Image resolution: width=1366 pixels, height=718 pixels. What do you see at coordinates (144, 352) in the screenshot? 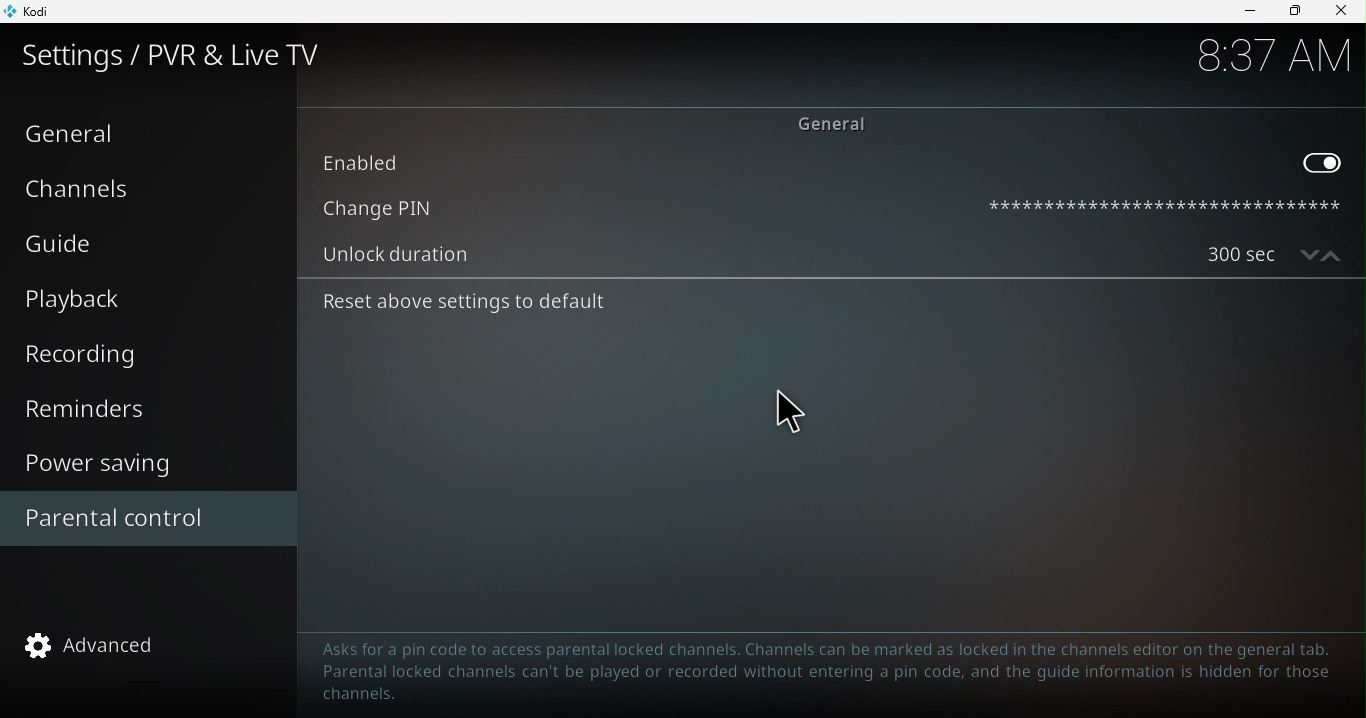
I see `Recording` at bounding box center [144, 352].